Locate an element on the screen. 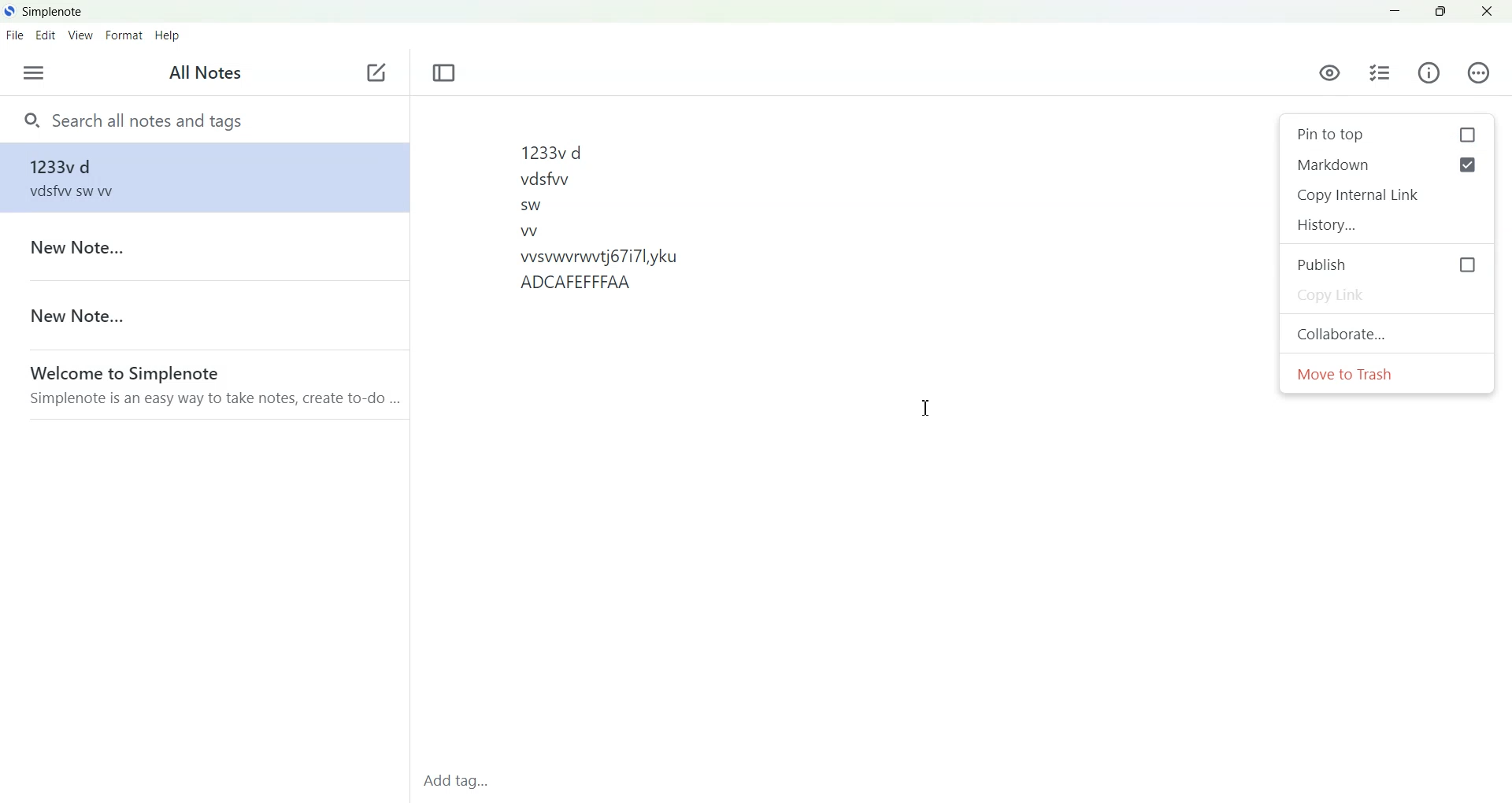 This screenshot has height=803, width=1512. View is located at coordinates (81, 35).